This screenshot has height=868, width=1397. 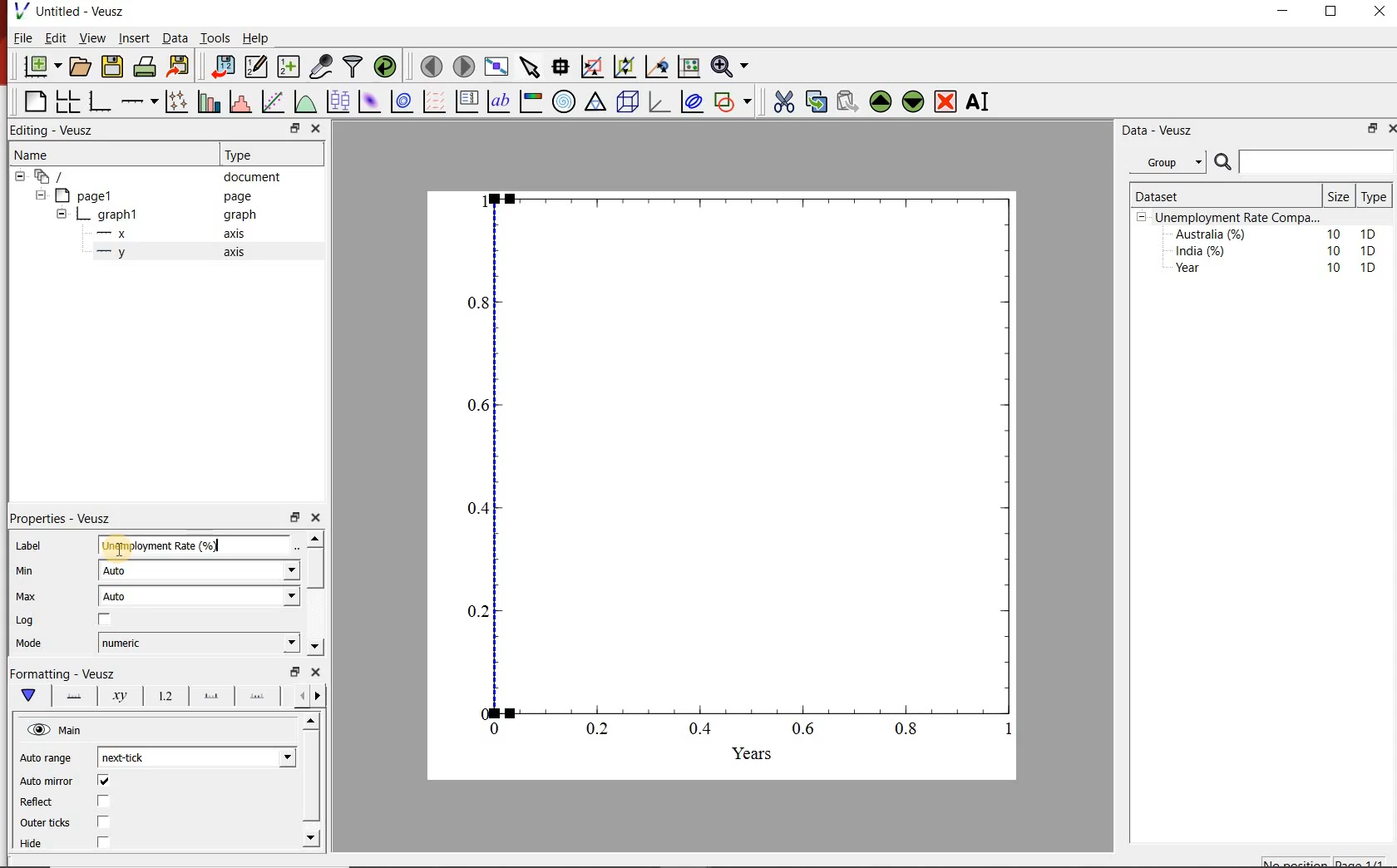 I want to click on select the items, so click(x=531, y=65).